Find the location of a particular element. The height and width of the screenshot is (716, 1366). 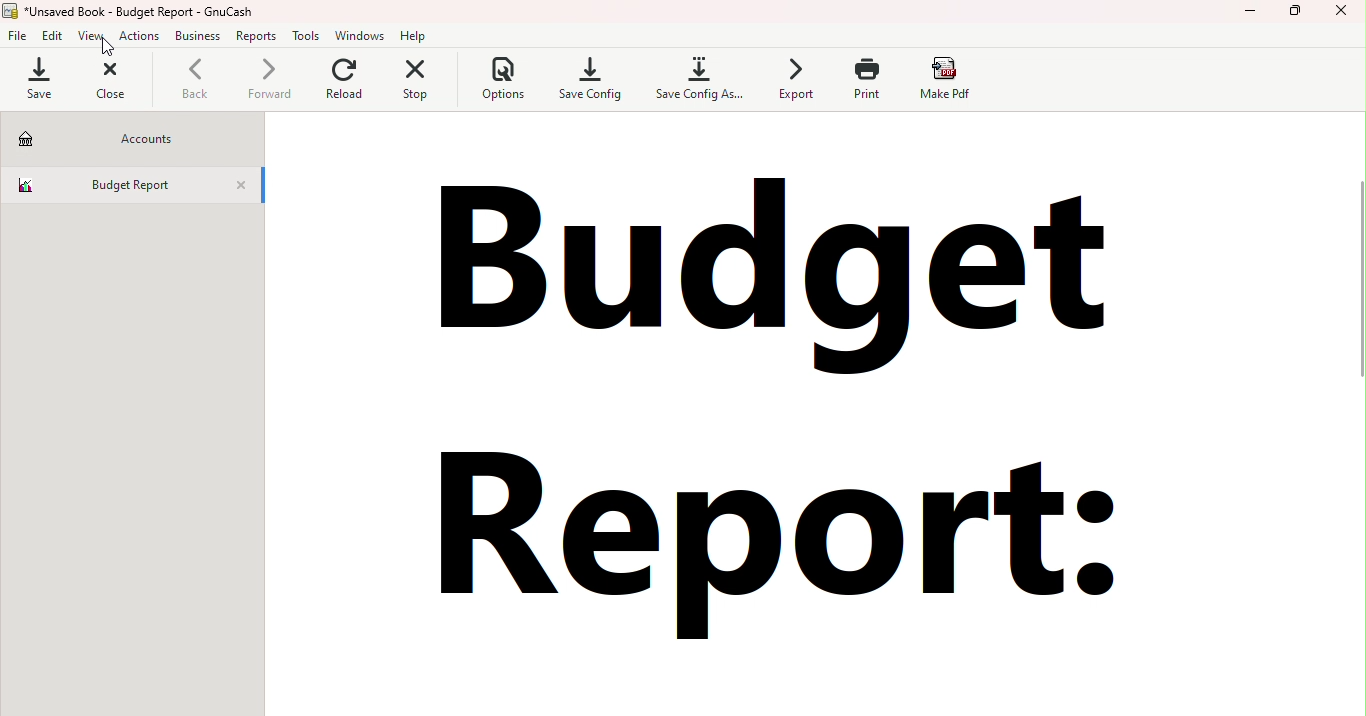

Actions is located at coordinates (138, 36).